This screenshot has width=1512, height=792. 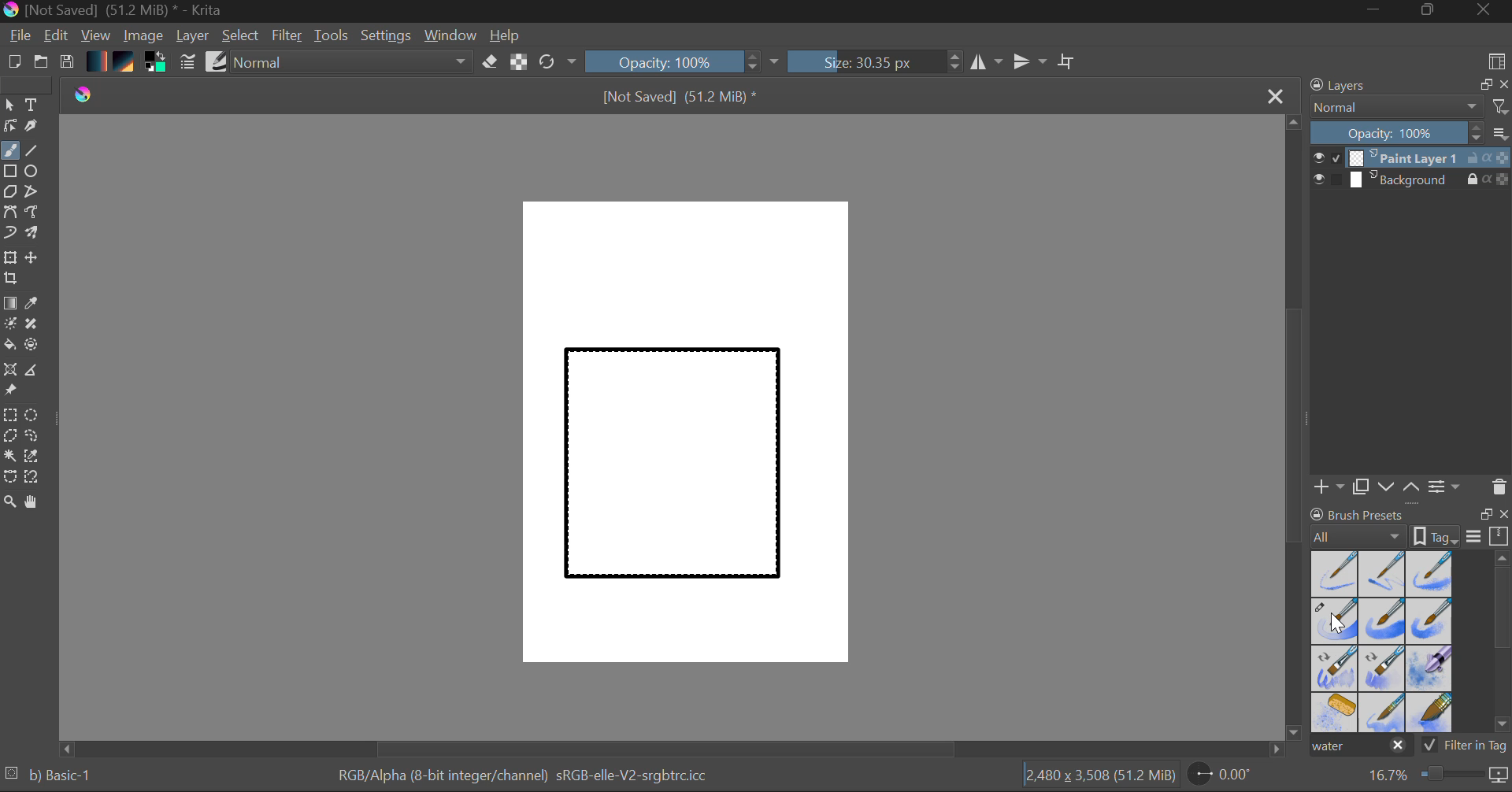 What do you see at coordinates (10, 302) in the screenshot?
I see `Fill Gradient` at bounding box center [10, 302].